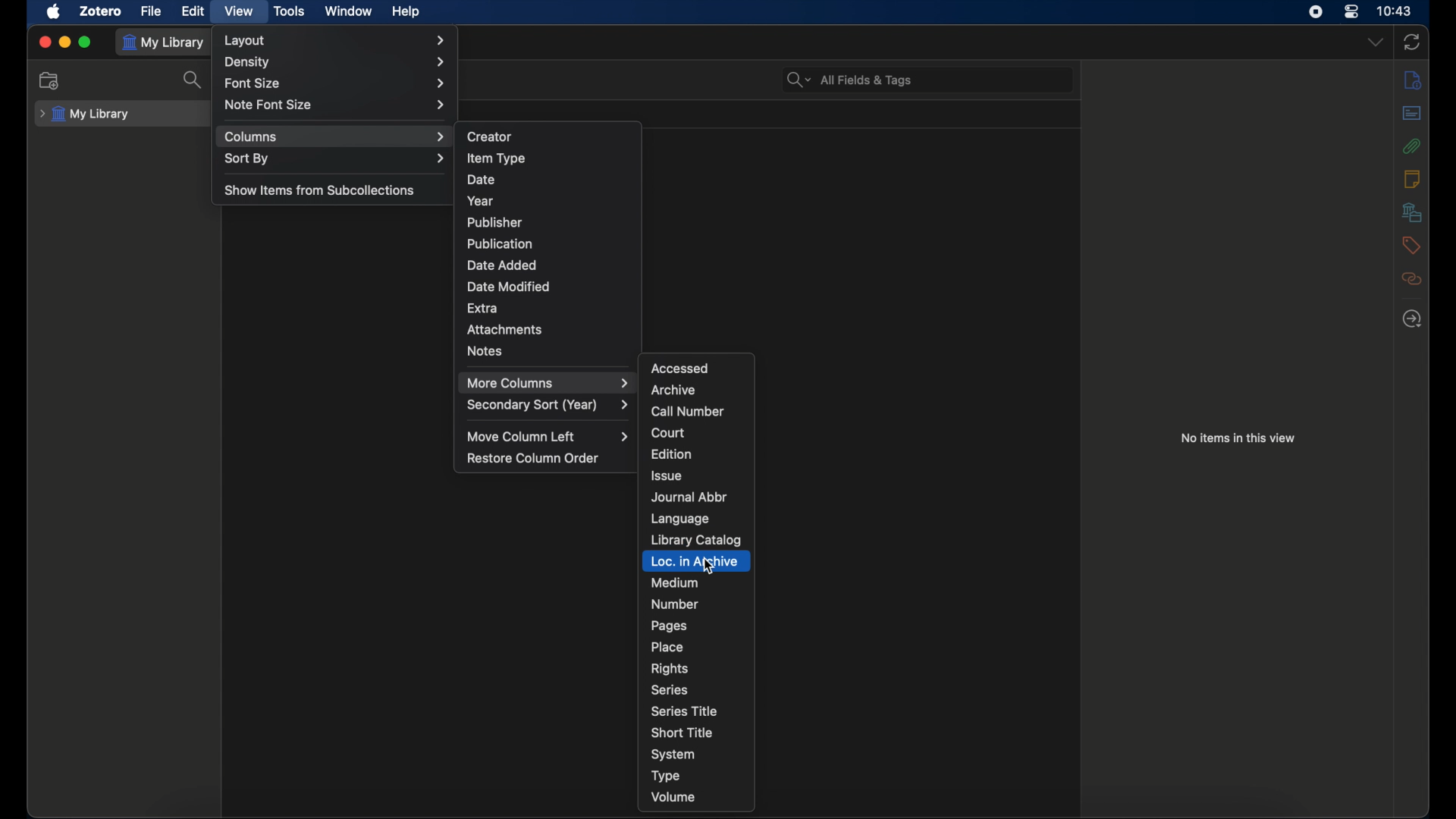 Image resolution: width=1456 pixels, height=819 pixels. What do you see at coordinates (1396, 10) in the screenshot?
I see `time` at bounding box center [1396, 10].